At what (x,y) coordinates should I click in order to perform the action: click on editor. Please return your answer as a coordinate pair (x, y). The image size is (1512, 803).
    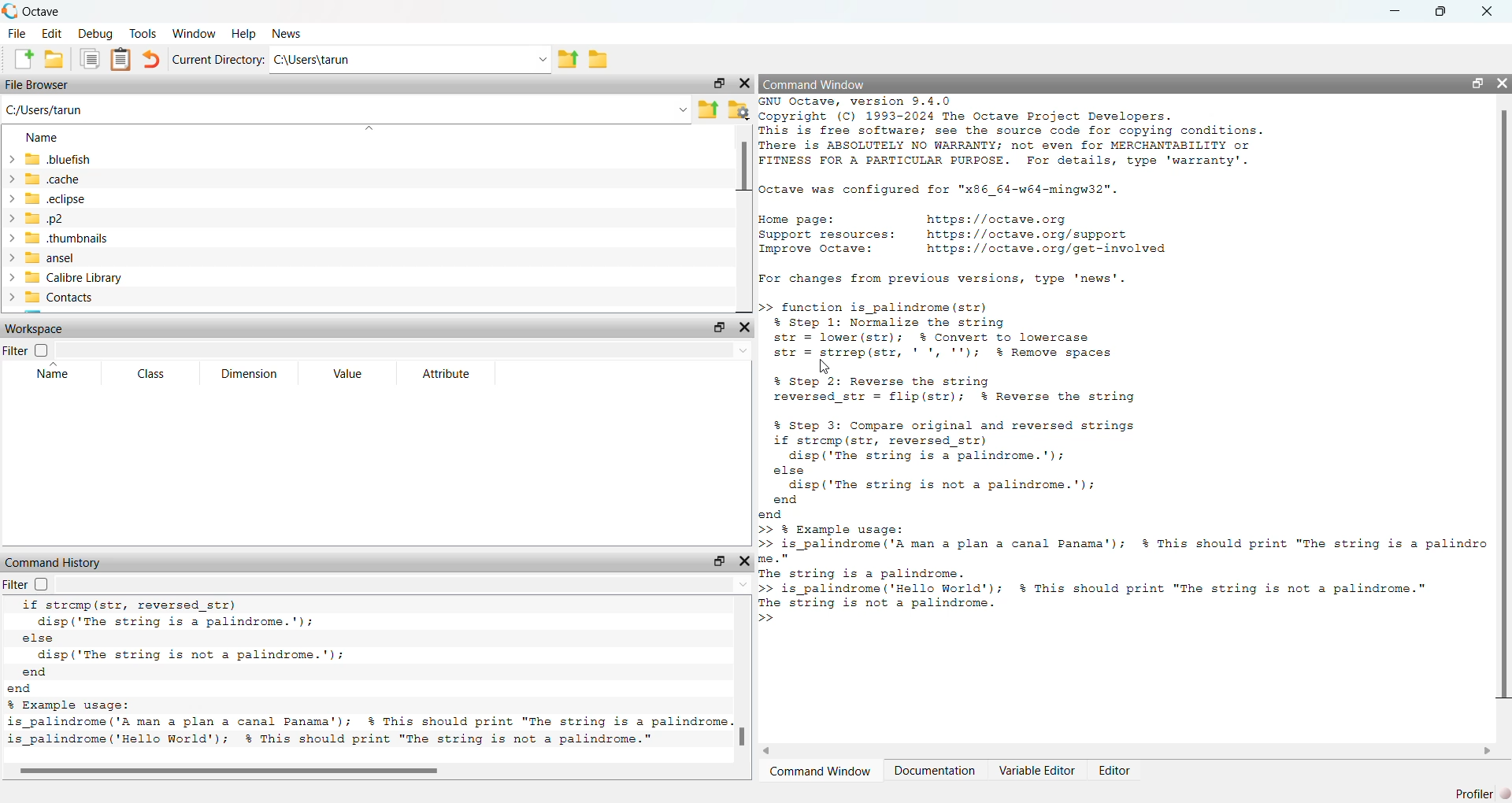
    Looking at the image, I should click on (1118, 770).